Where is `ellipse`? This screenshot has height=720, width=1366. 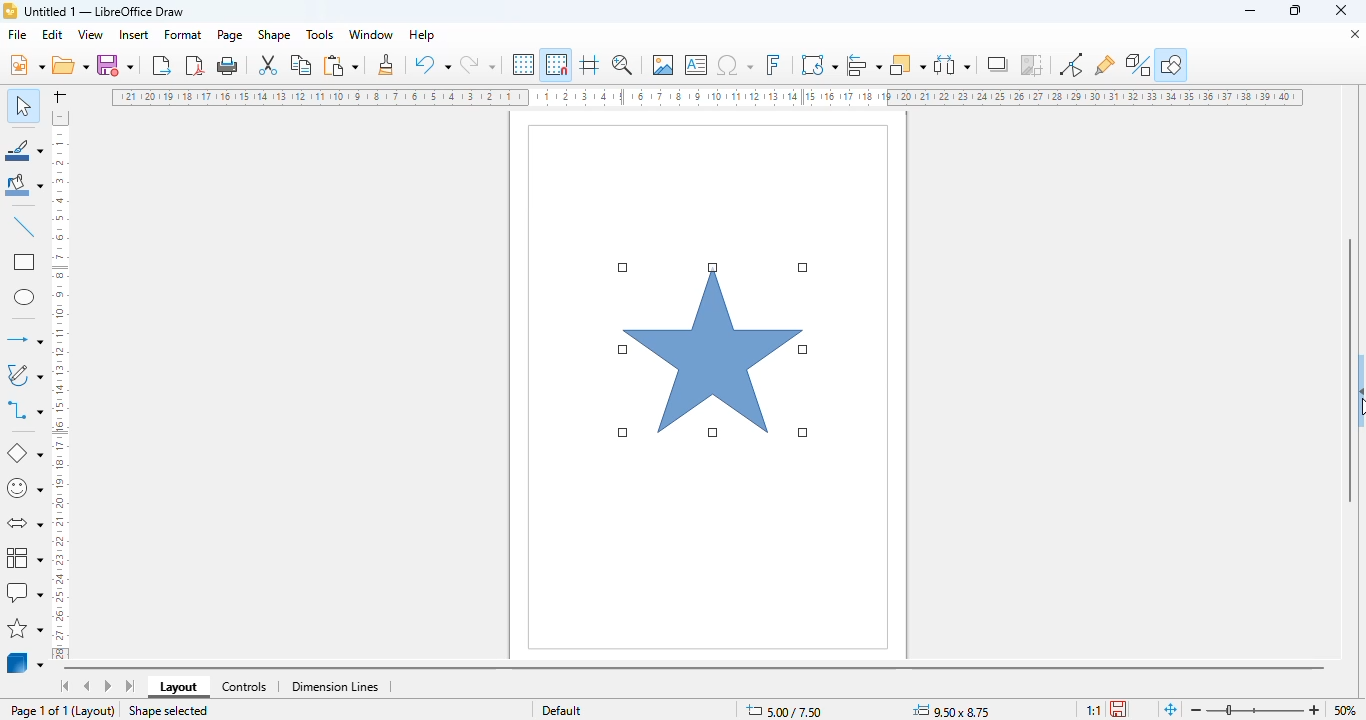
ellipse is located at coordinates (25, 297).